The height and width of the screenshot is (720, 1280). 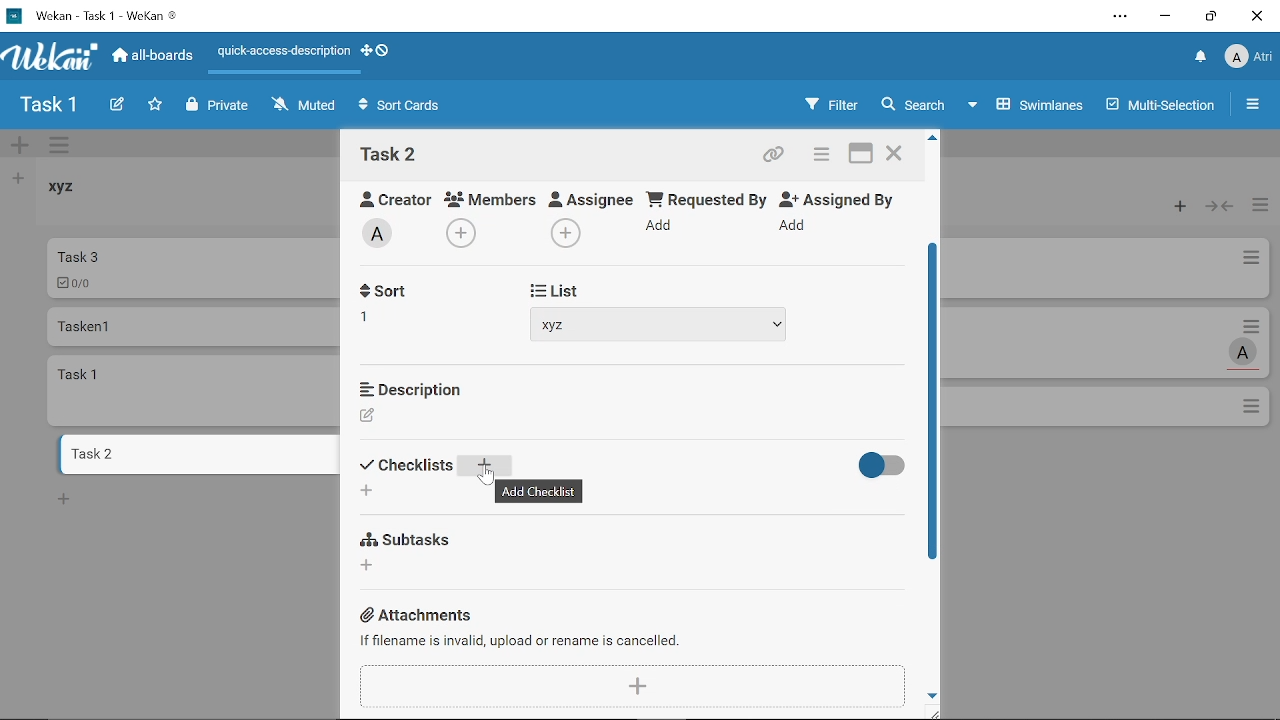 What do you see at coordinates (1255, 107) in the screenshot?
I see `Open/close sidebar` at bounding box center [1255, 107].